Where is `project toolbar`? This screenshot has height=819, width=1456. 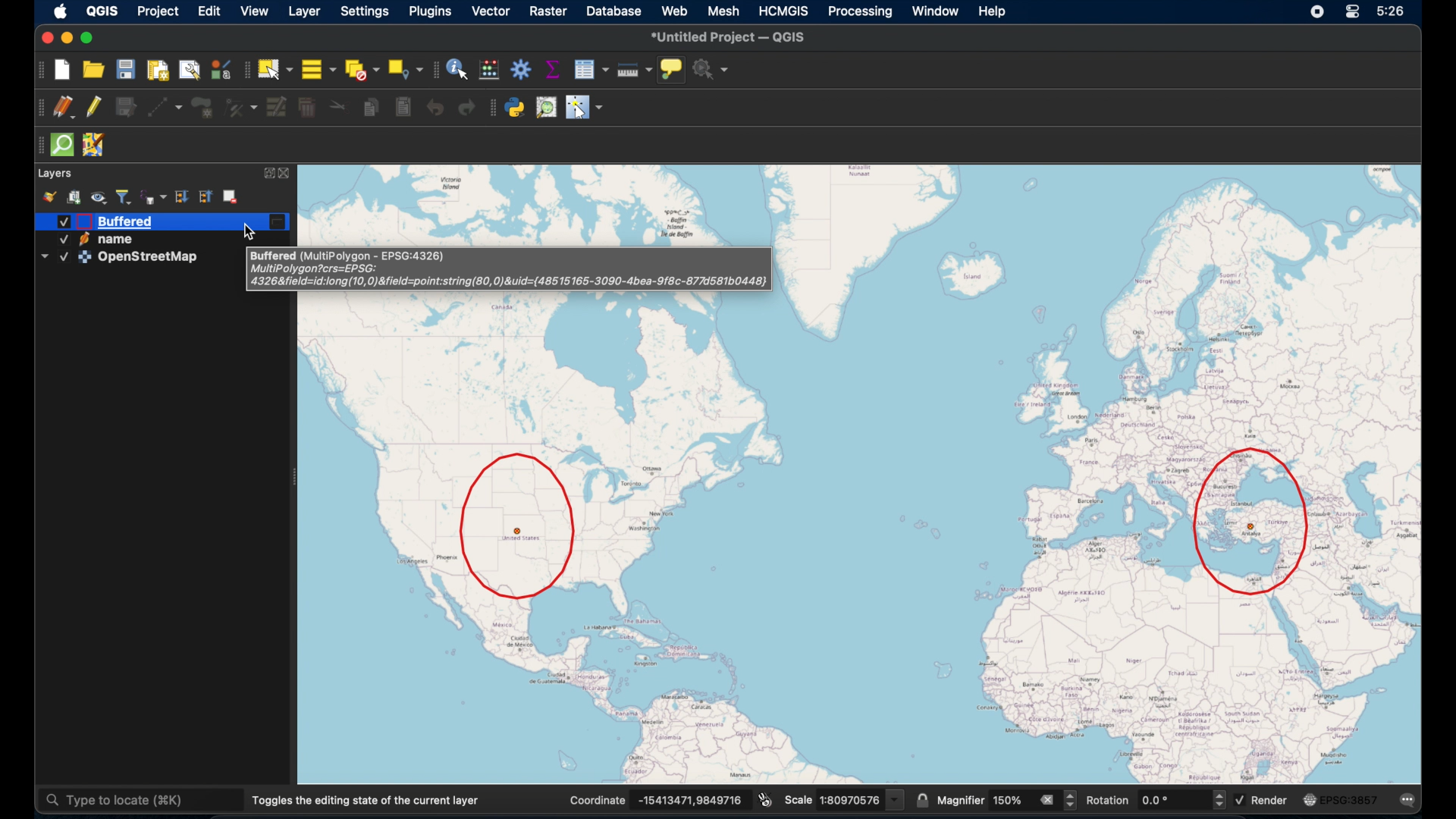
project toolbar is located at coordinates (38, 69).